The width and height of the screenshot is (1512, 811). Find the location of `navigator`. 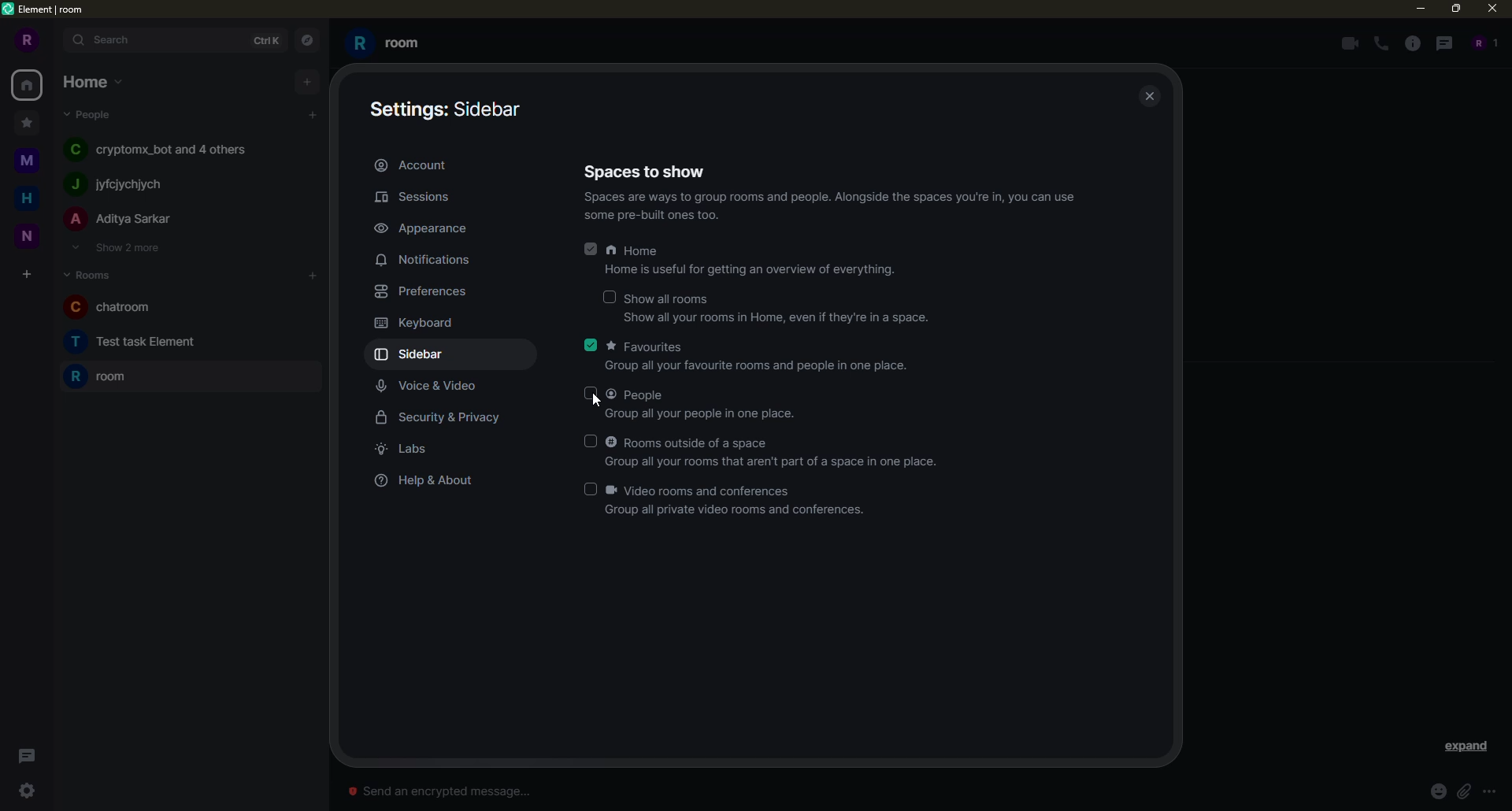

navigator is located at coordinates (305, 40).